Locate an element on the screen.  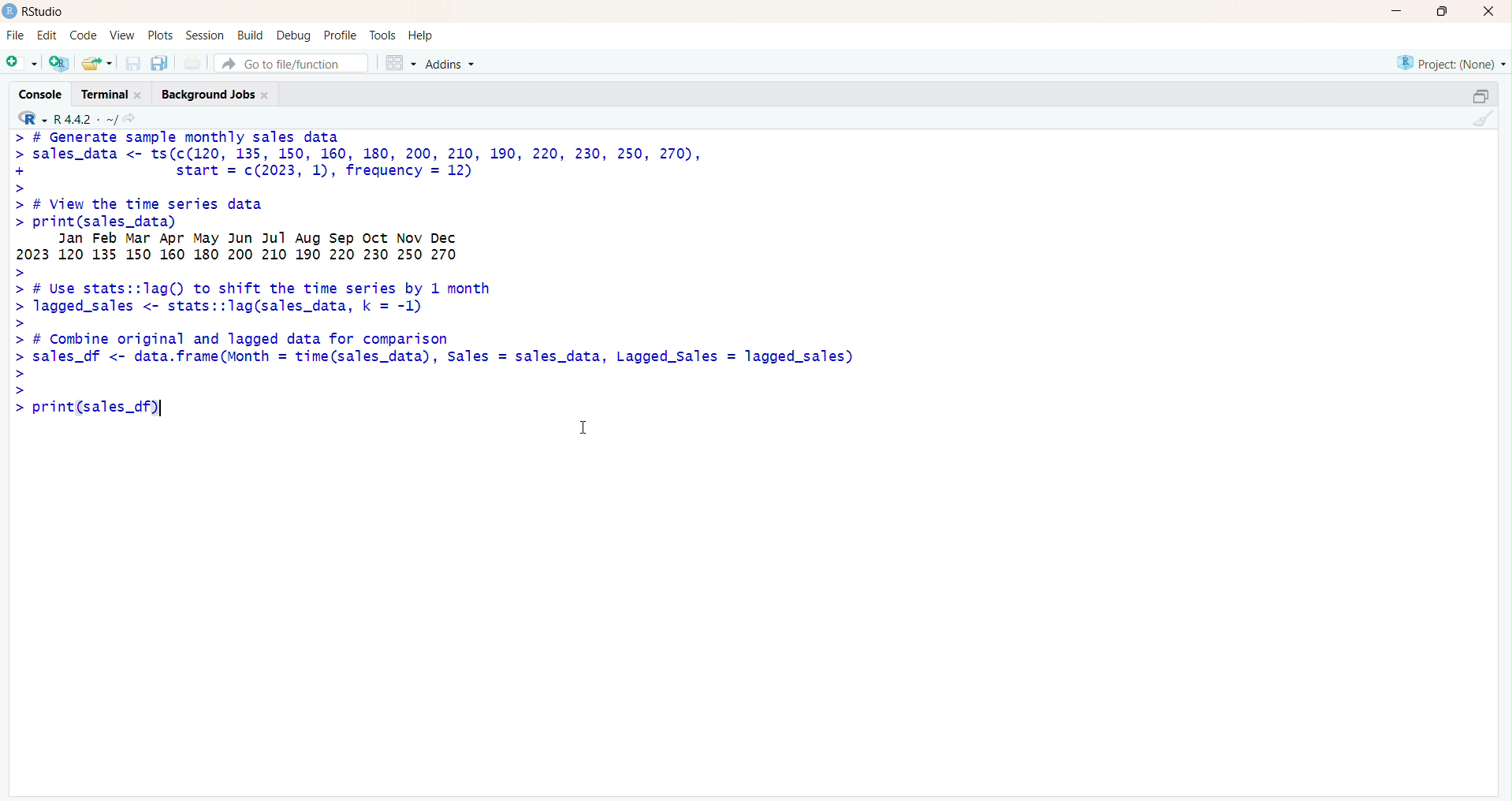
# Generate sample monthly sales data sales_data <- ts(c(120, 135, 150, 160, 180, 200, 210, 190, 220, 230, 250, 270),start = c(2023, 1), frequency = 12) is located at coordinates (385, 161).